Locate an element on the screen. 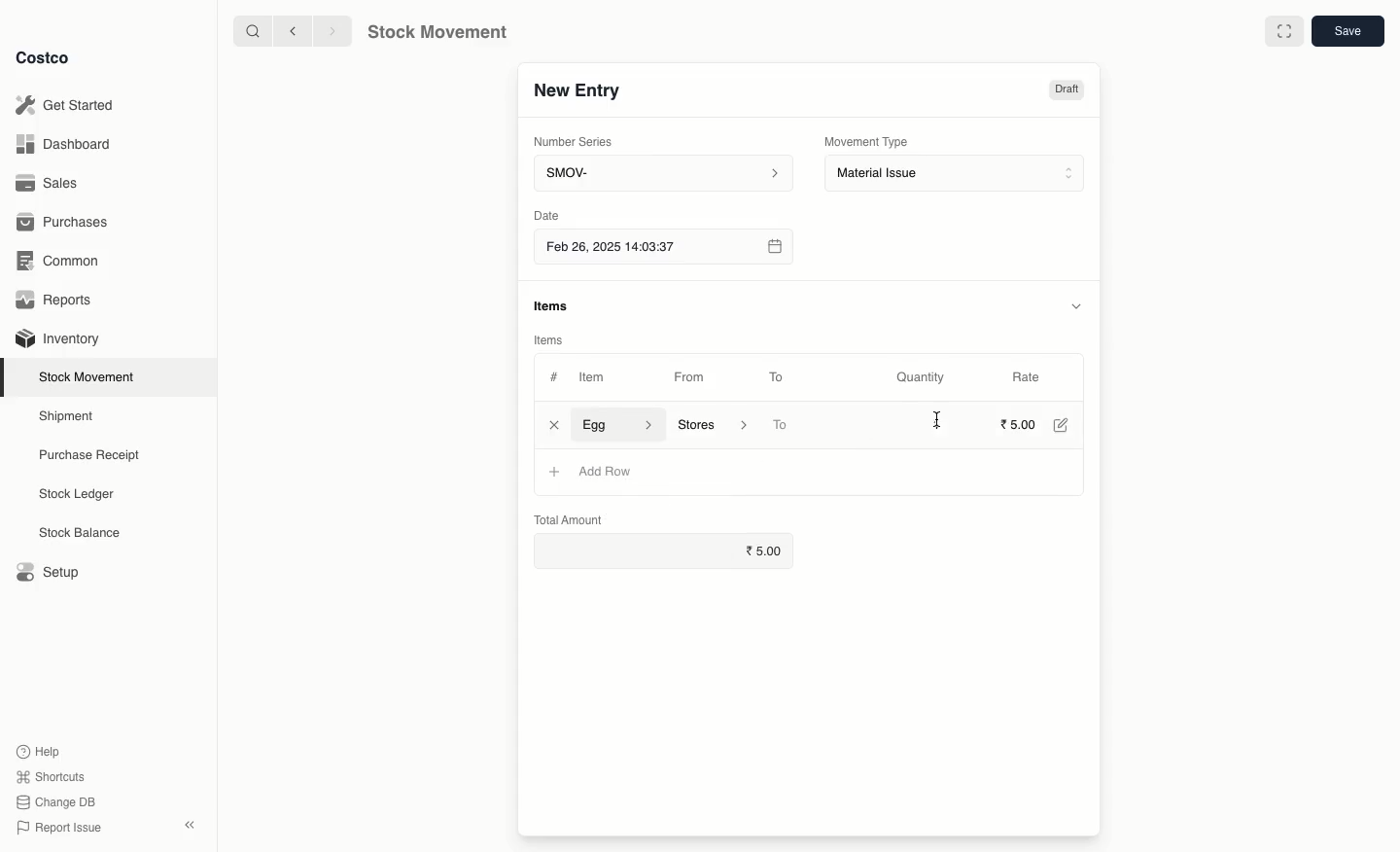  Stock Movement is located at coordinates (434, 32).